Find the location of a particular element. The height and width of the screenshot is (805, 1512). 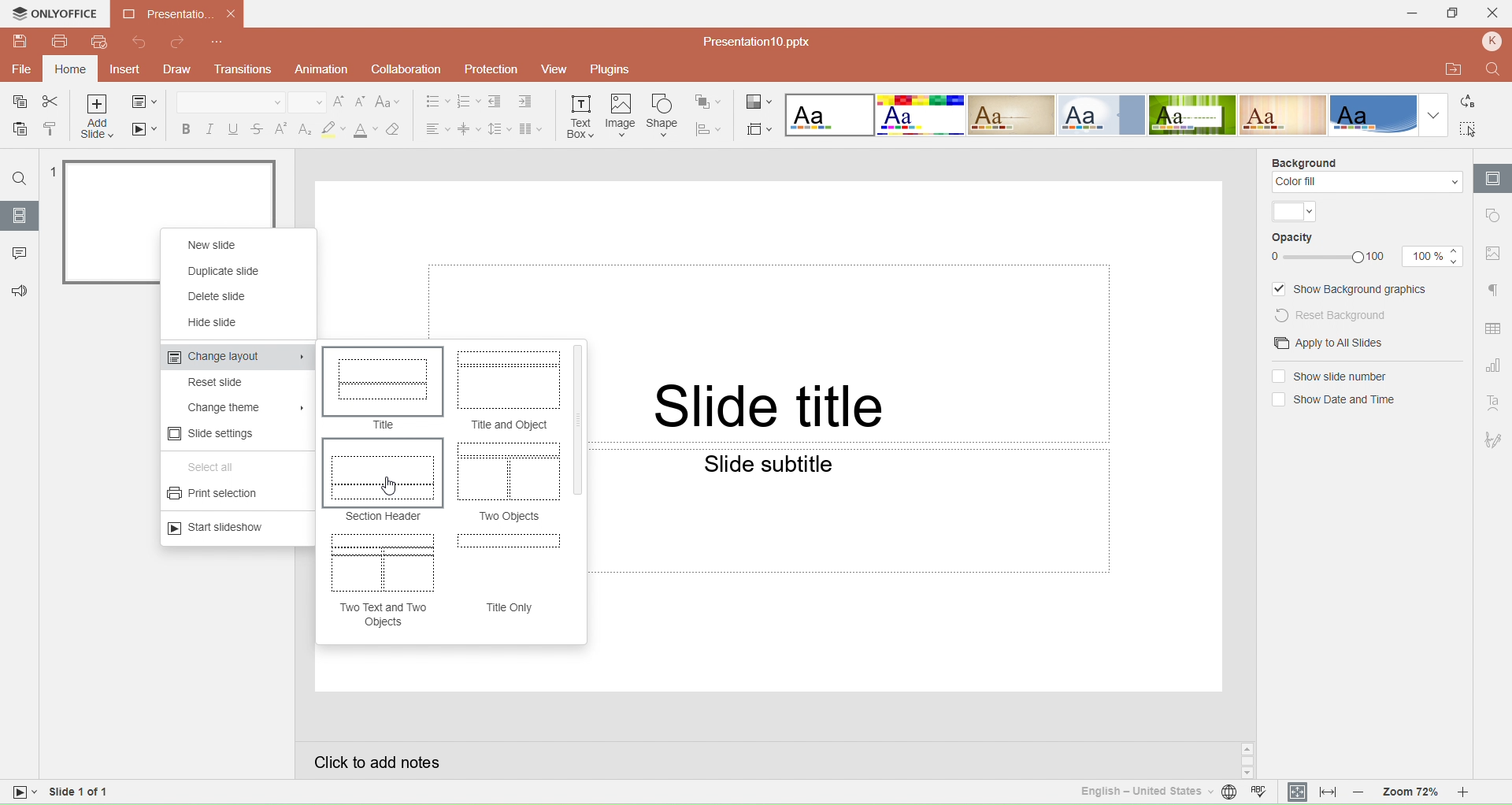

Insert shape is located at coordinates (662, 115).